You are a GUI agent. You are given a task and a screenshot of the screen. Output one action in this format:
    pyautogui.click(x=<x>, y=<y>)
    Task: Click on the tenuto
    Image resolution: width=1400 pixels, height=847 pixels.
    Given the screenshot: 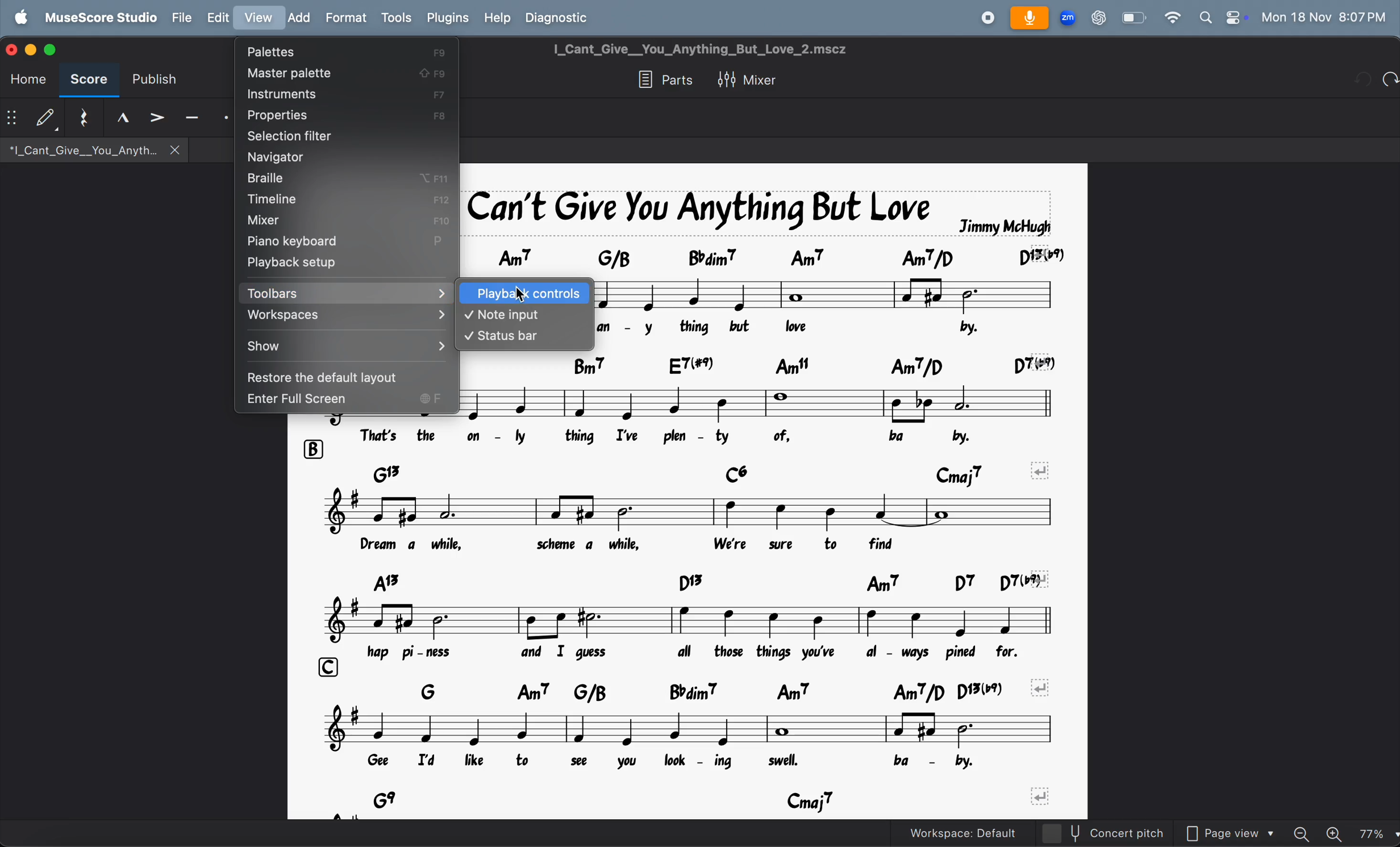 What is the action you would take?
    pyautogui.click(x=192, y=115)
    